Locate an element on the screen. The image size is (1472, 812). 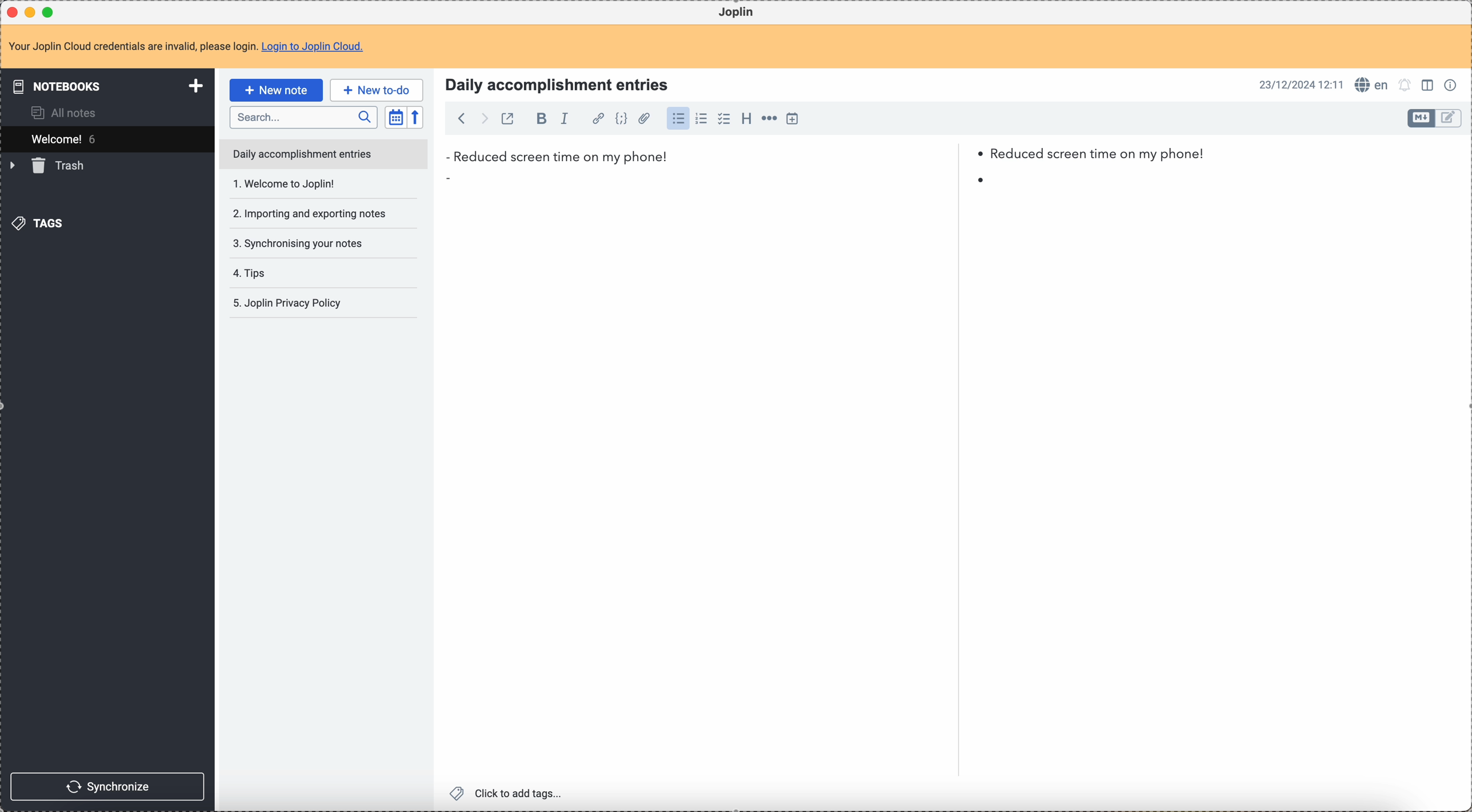
checkbox is located at coordinates (725, 119).